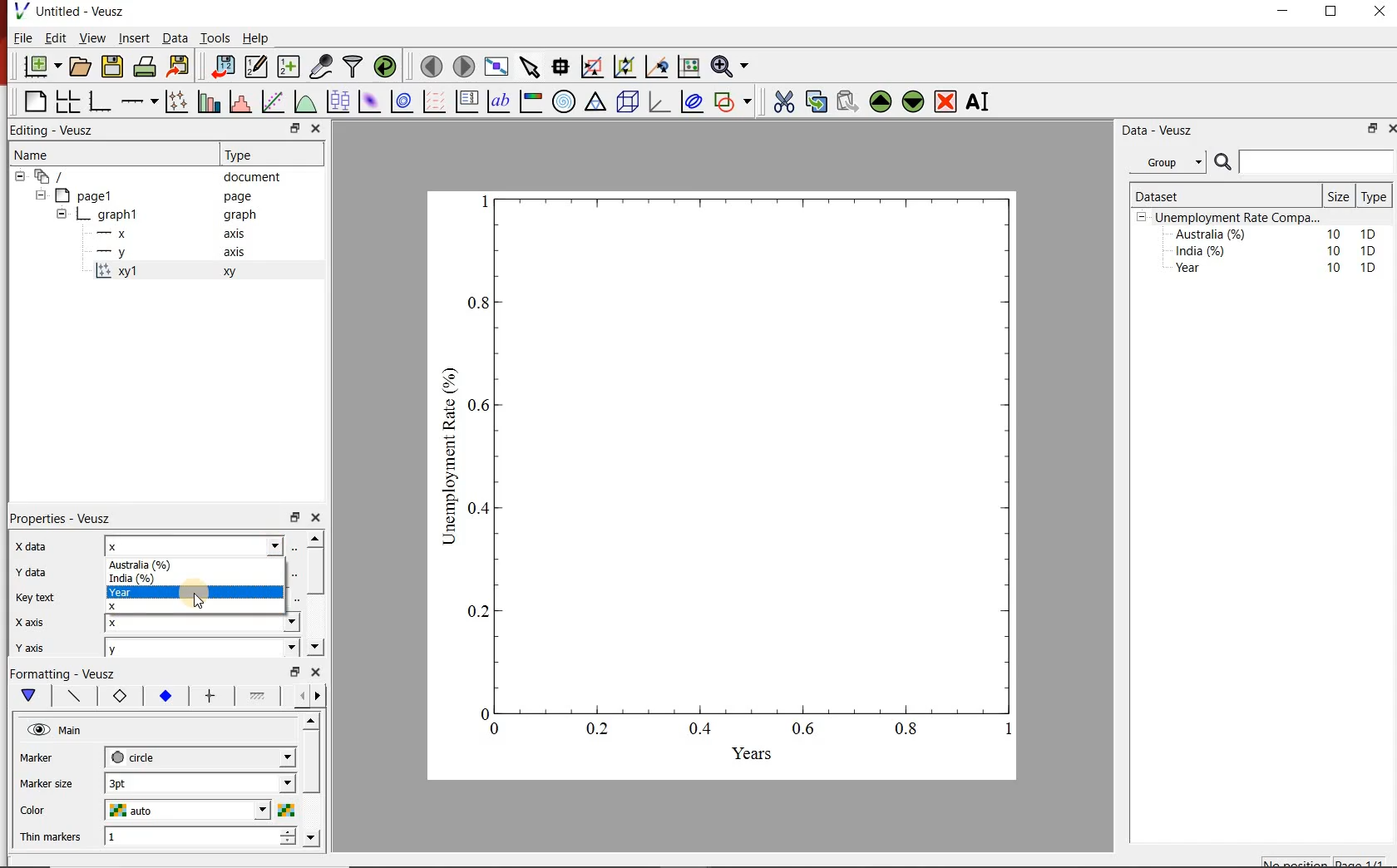 Image resolution: width=1397 pixels, height=868 pixels. Describe the element at coordinates (848, 101) in the screenshot. I see `paste the widgets` at that location.